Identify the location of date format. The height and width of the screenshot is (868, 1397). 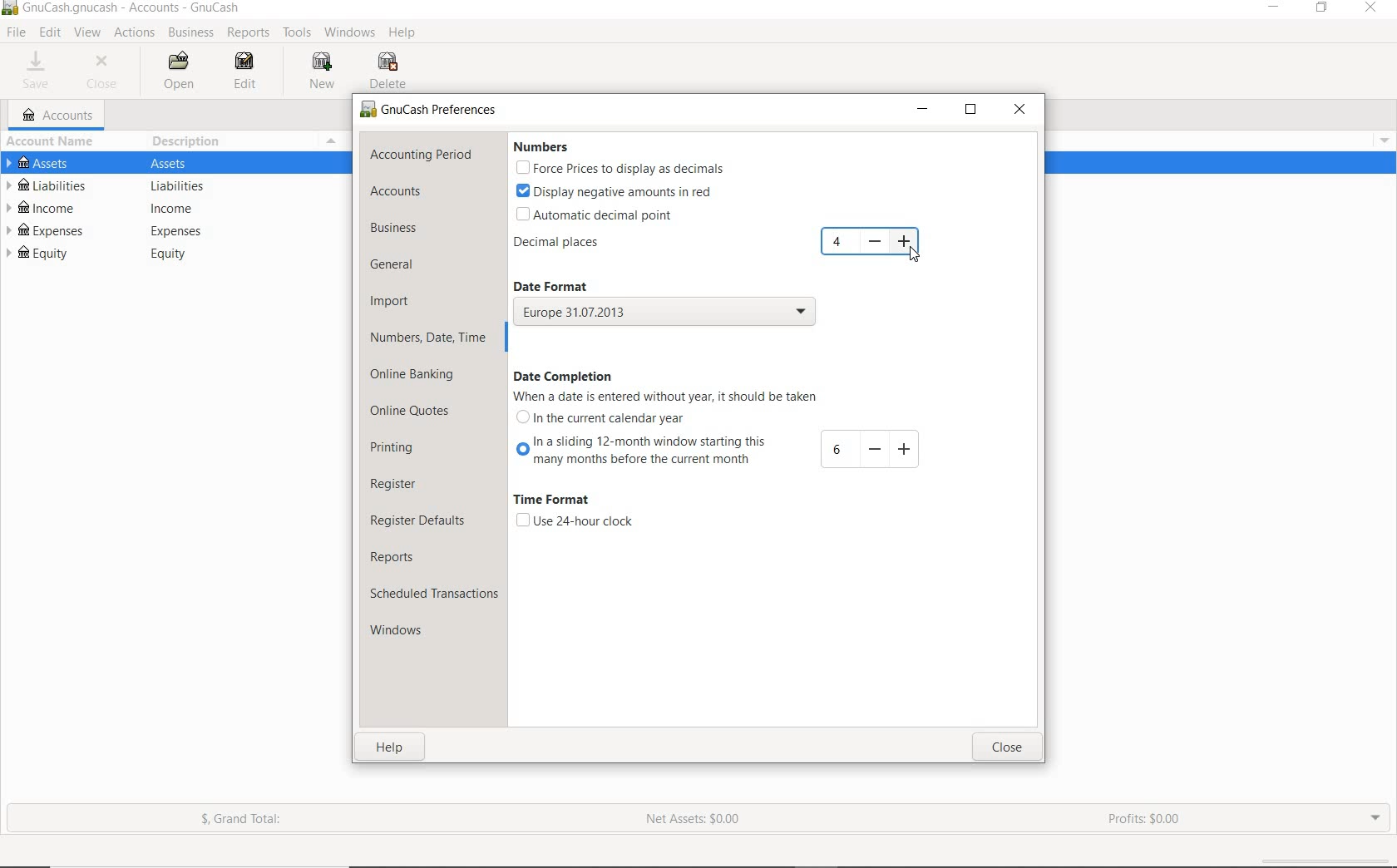
(565, 284).